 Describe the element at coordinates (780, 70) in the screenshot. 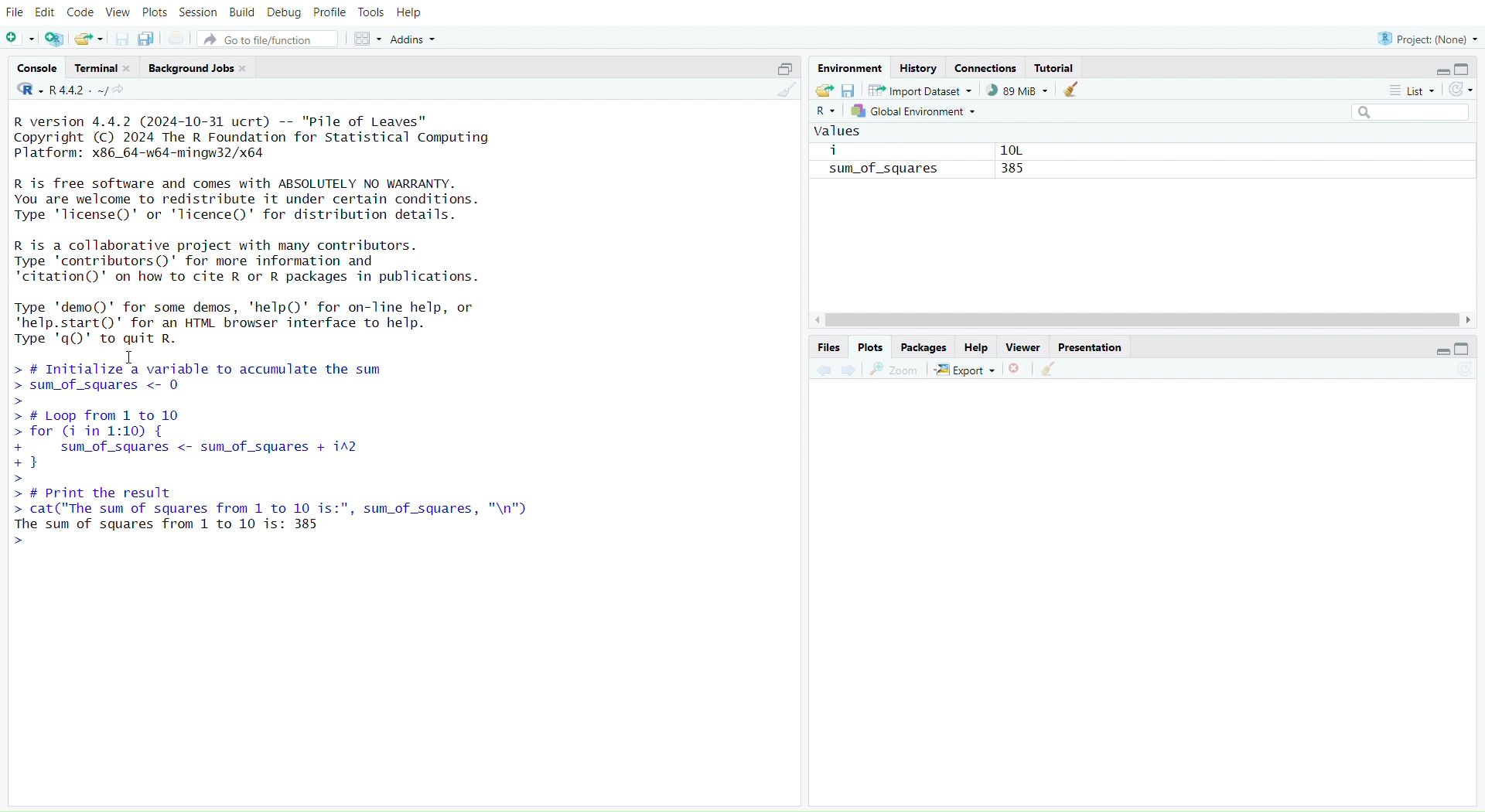

I see `expand` at that location.